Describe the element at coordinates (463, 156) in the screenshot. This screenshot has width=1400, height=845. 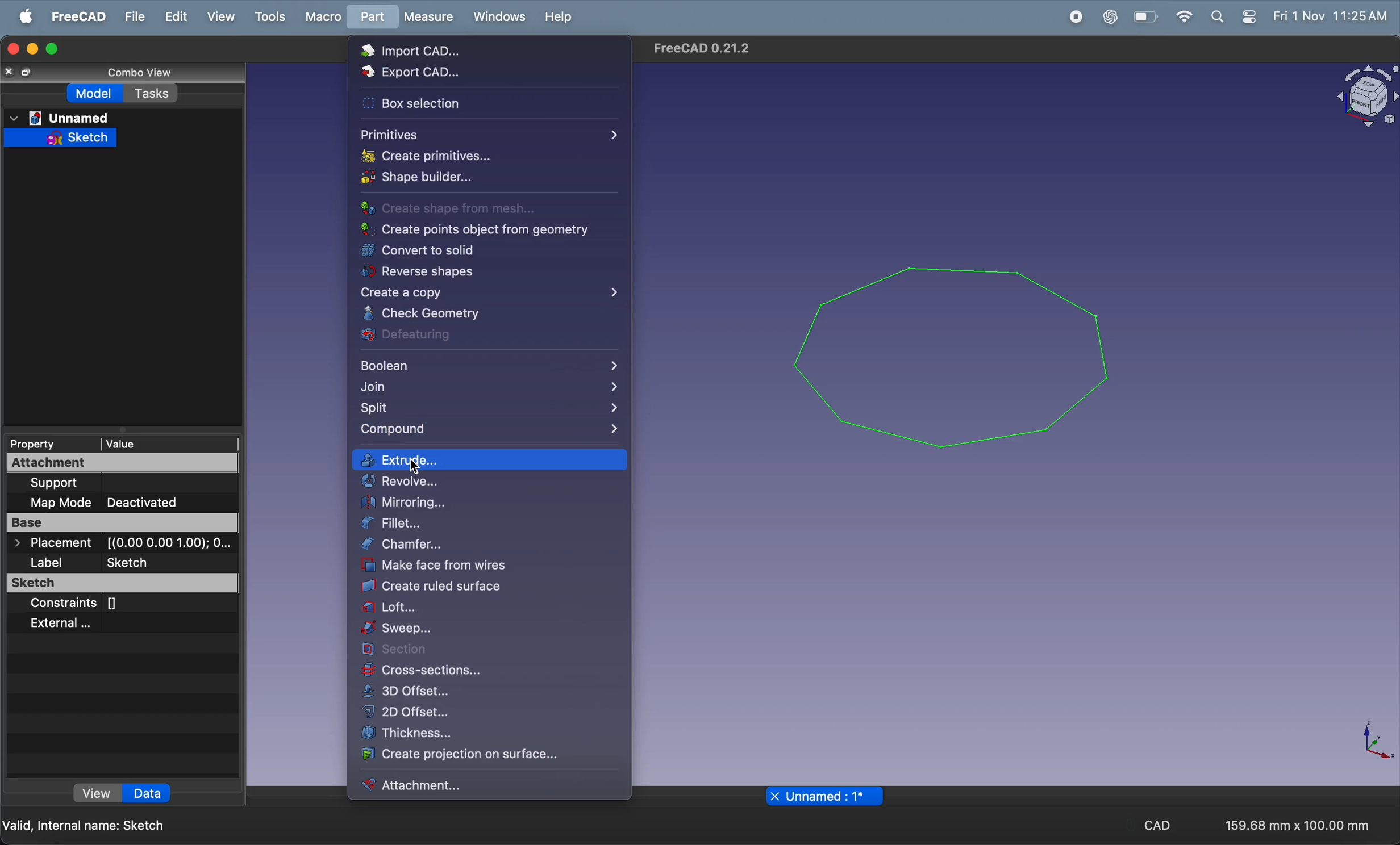
I see `create primitives ` at that location.